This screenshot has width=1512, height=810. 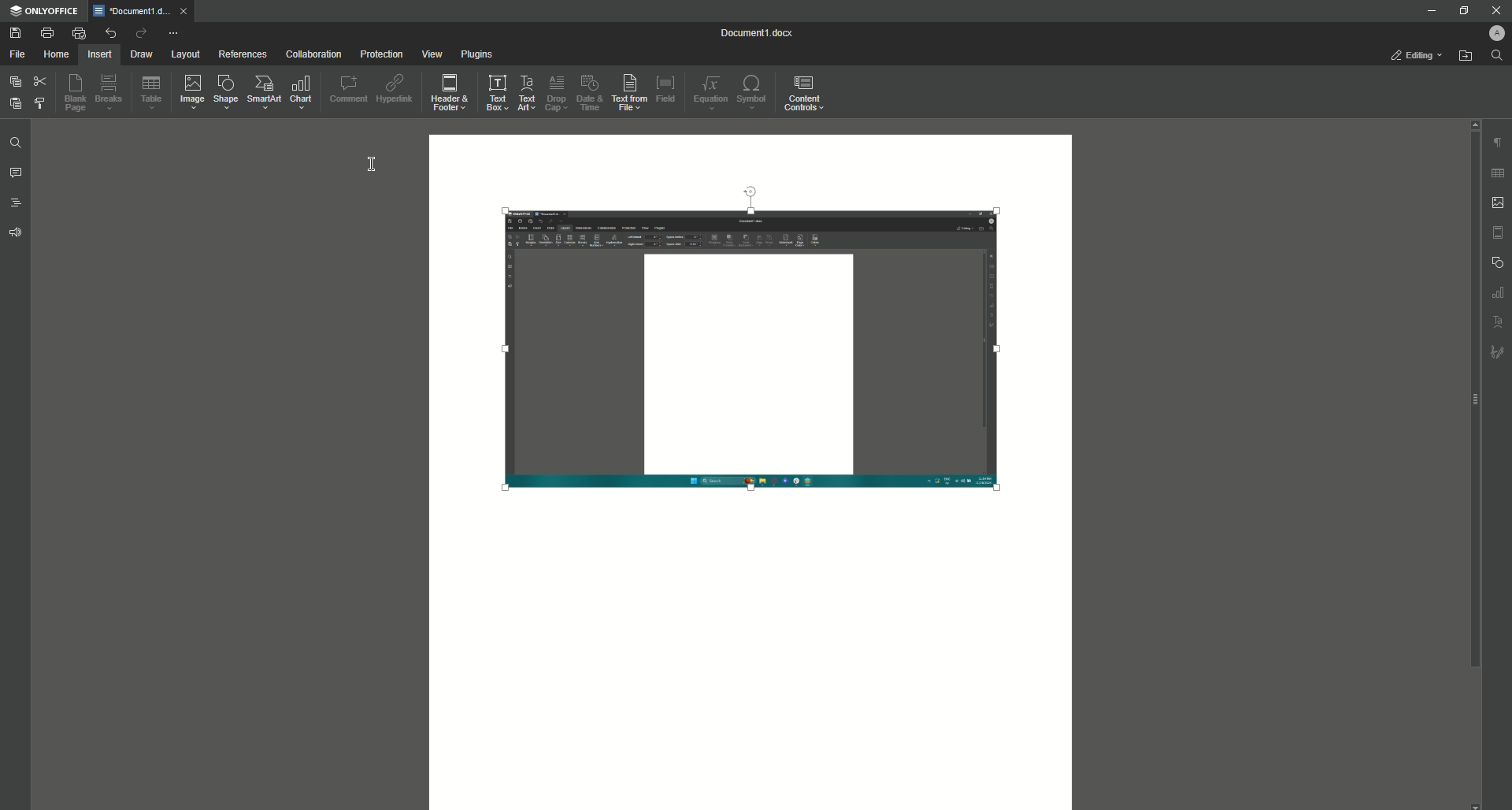 What do you see at coordinates (226, 91) in the screenshot?
I see `Shape` at bounding box center [226, 91].